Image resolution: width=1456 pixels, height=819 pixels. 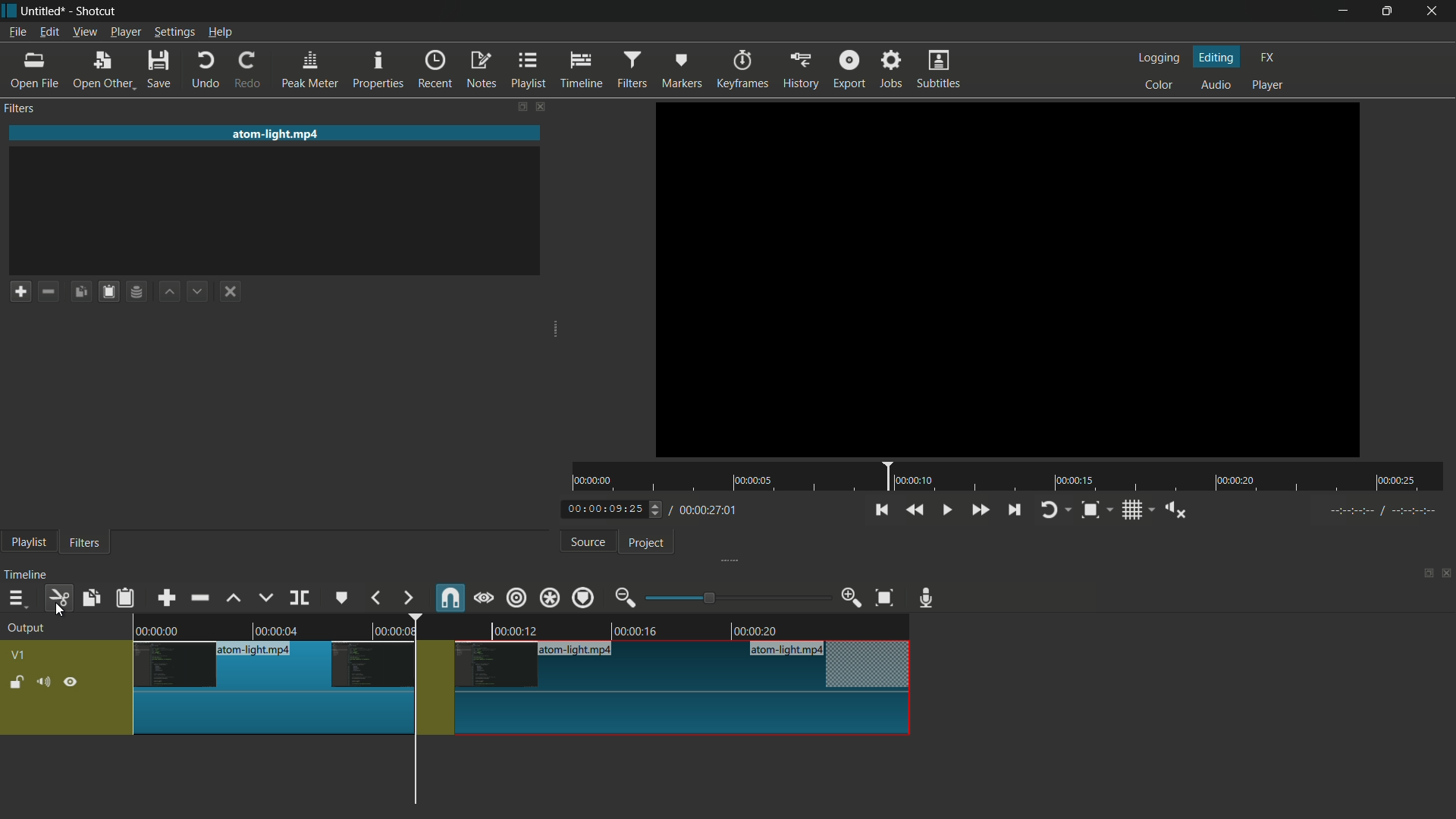 I want to click on create or edit marker, so click(x=342, y=599).